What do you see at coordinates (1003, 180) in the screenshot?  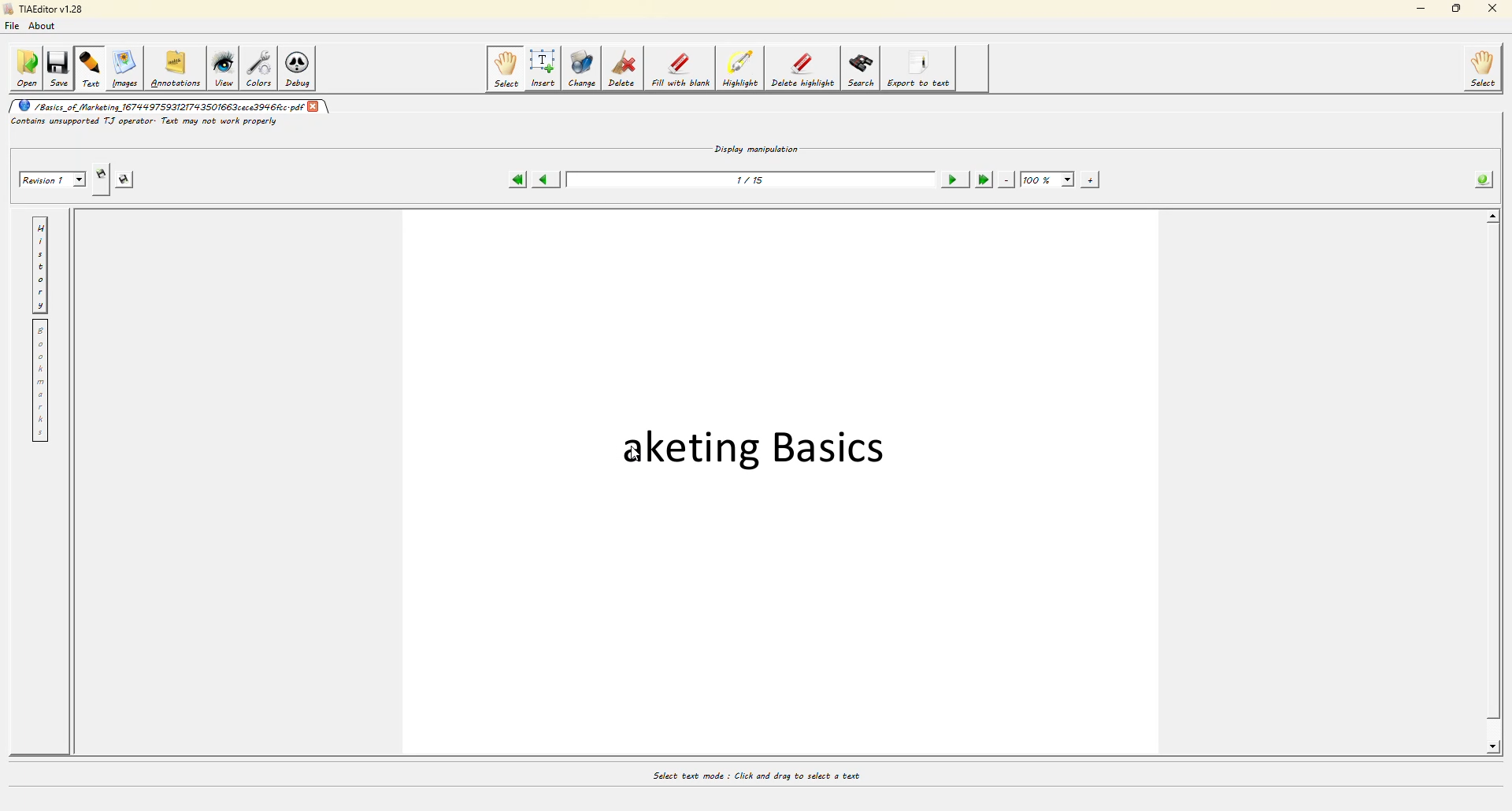 I see `zoom out` at bounding box center [1003, 180].